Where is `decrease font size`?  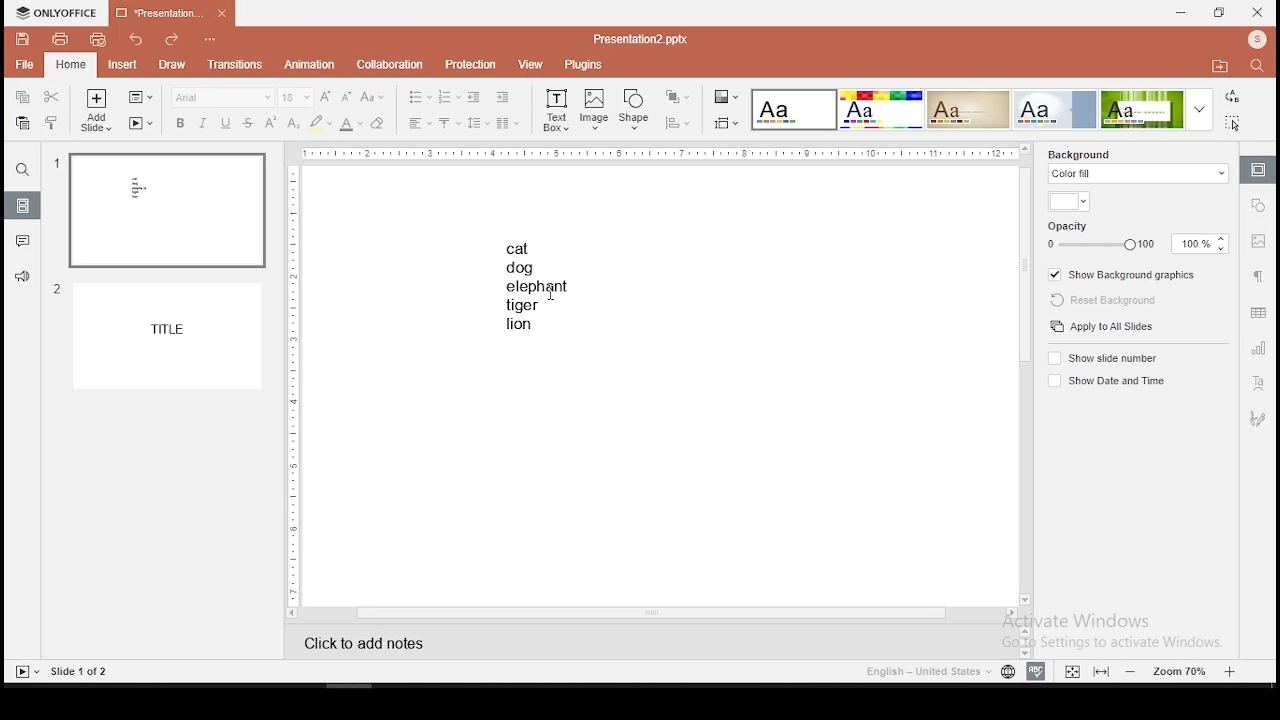 decrease font size is located at coordinates (348, 97).